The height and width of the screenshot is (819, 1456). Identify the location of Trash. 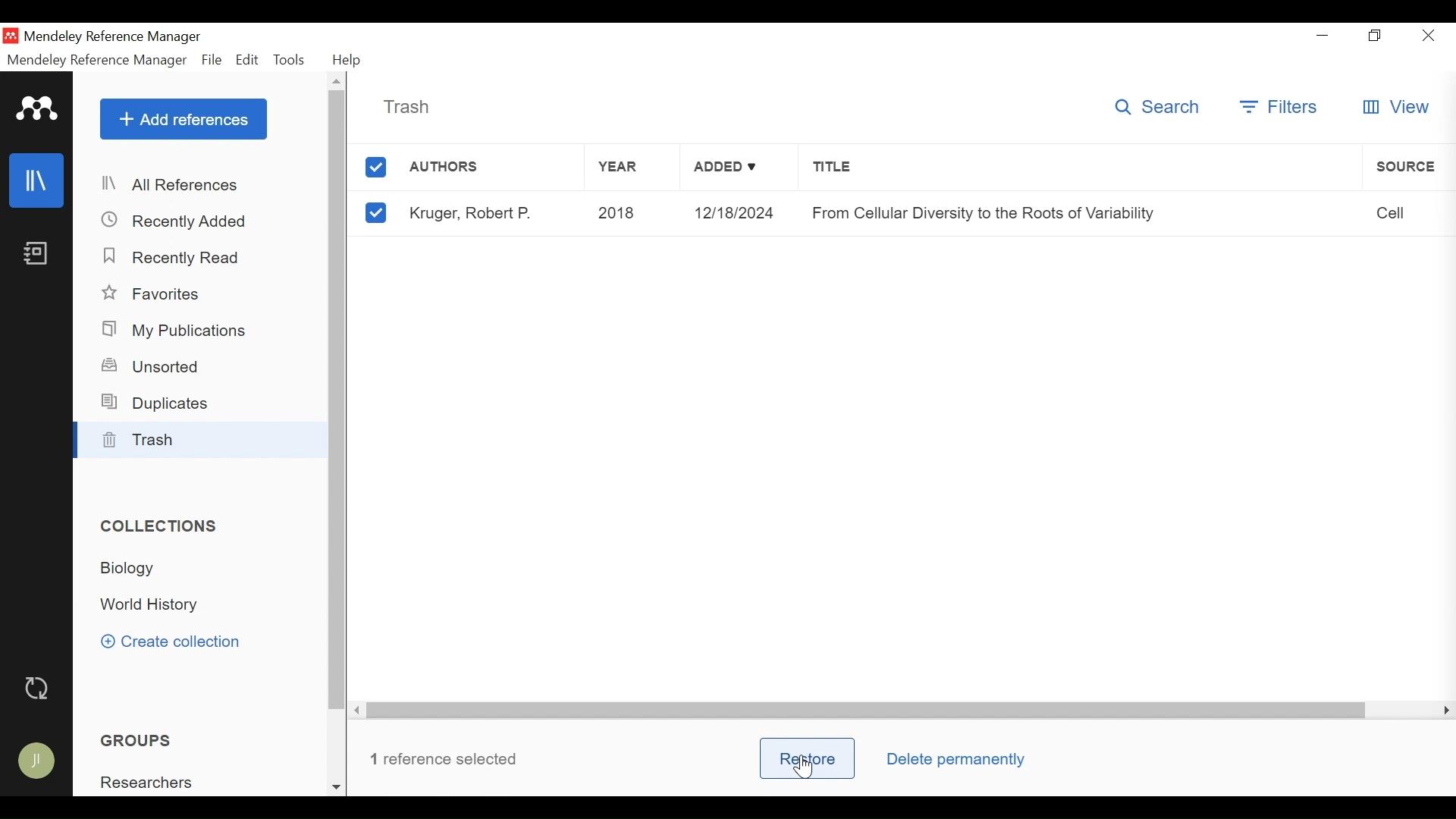
(406, 107).